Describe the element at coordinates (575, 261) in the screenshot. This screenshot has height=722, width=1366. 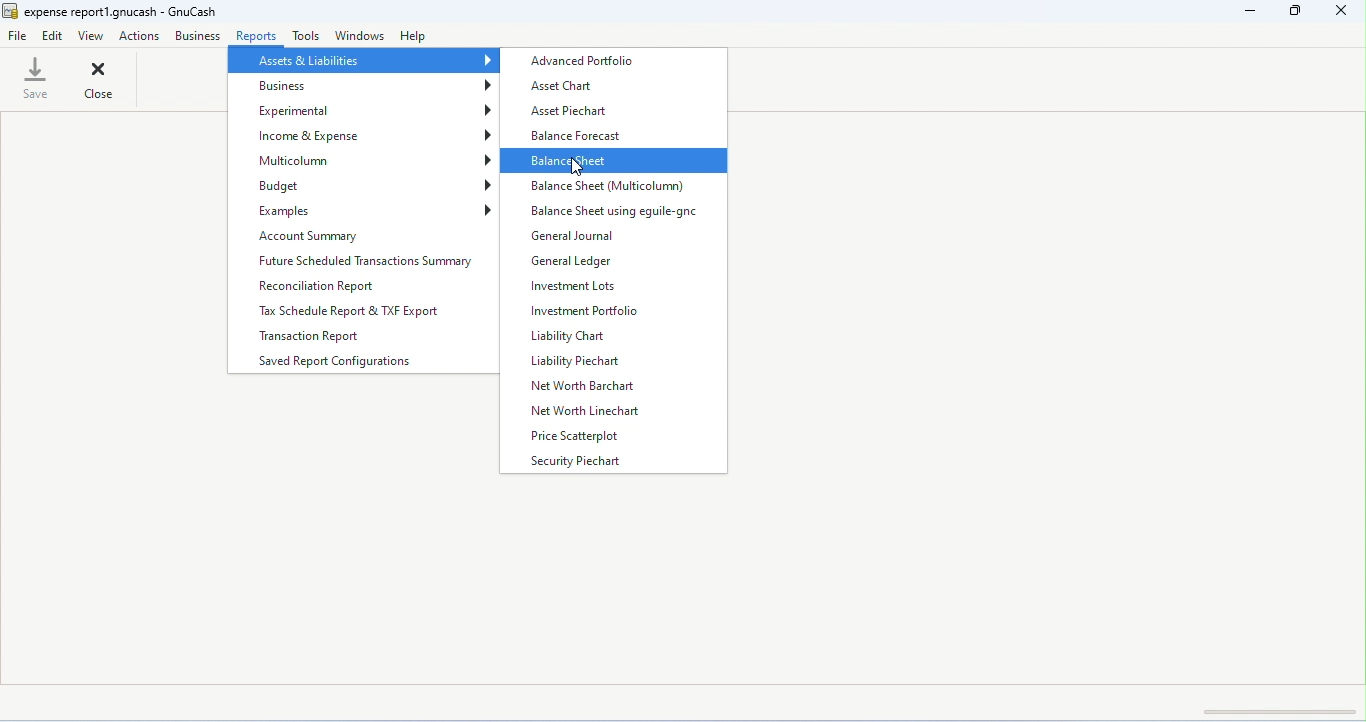
I see `general ledger` at that location.